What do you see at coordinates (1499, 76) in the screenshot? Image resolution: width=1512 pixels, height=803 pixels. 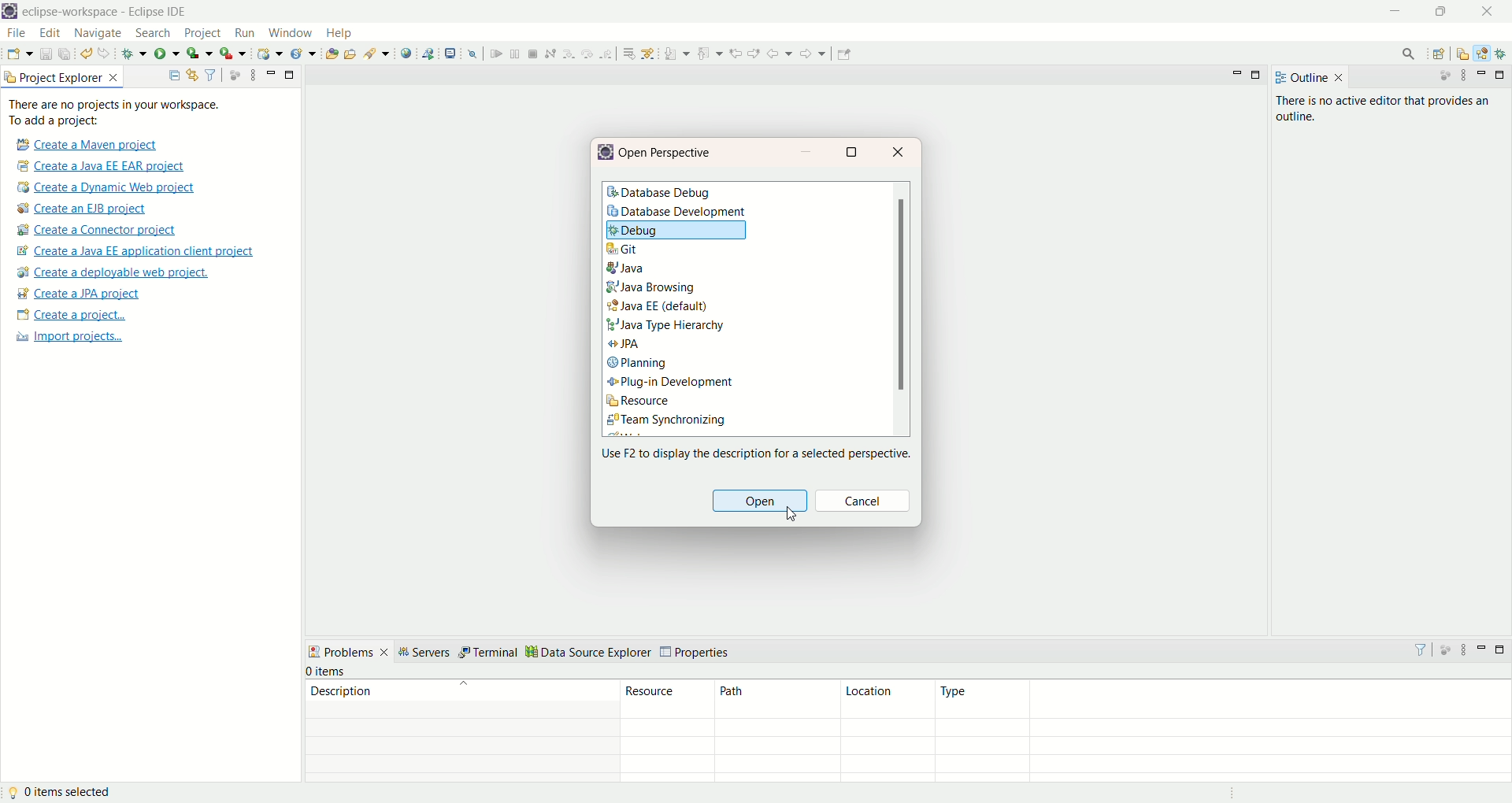 I see `maximize` at bounding box center [1499, 76].